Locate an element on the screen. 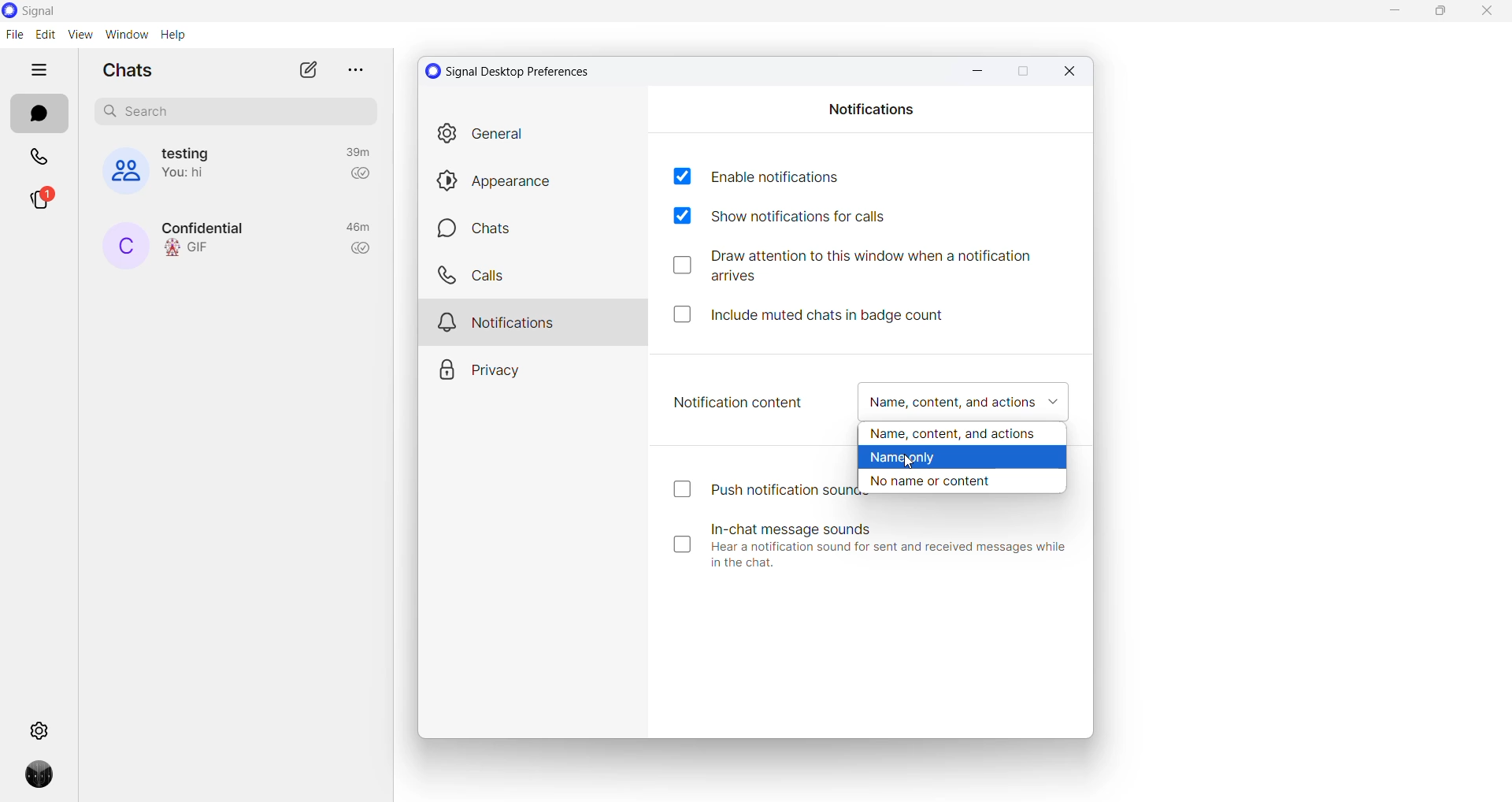 This screenshot has height=802, width=1512. last message is located at coordinates (192, 249).